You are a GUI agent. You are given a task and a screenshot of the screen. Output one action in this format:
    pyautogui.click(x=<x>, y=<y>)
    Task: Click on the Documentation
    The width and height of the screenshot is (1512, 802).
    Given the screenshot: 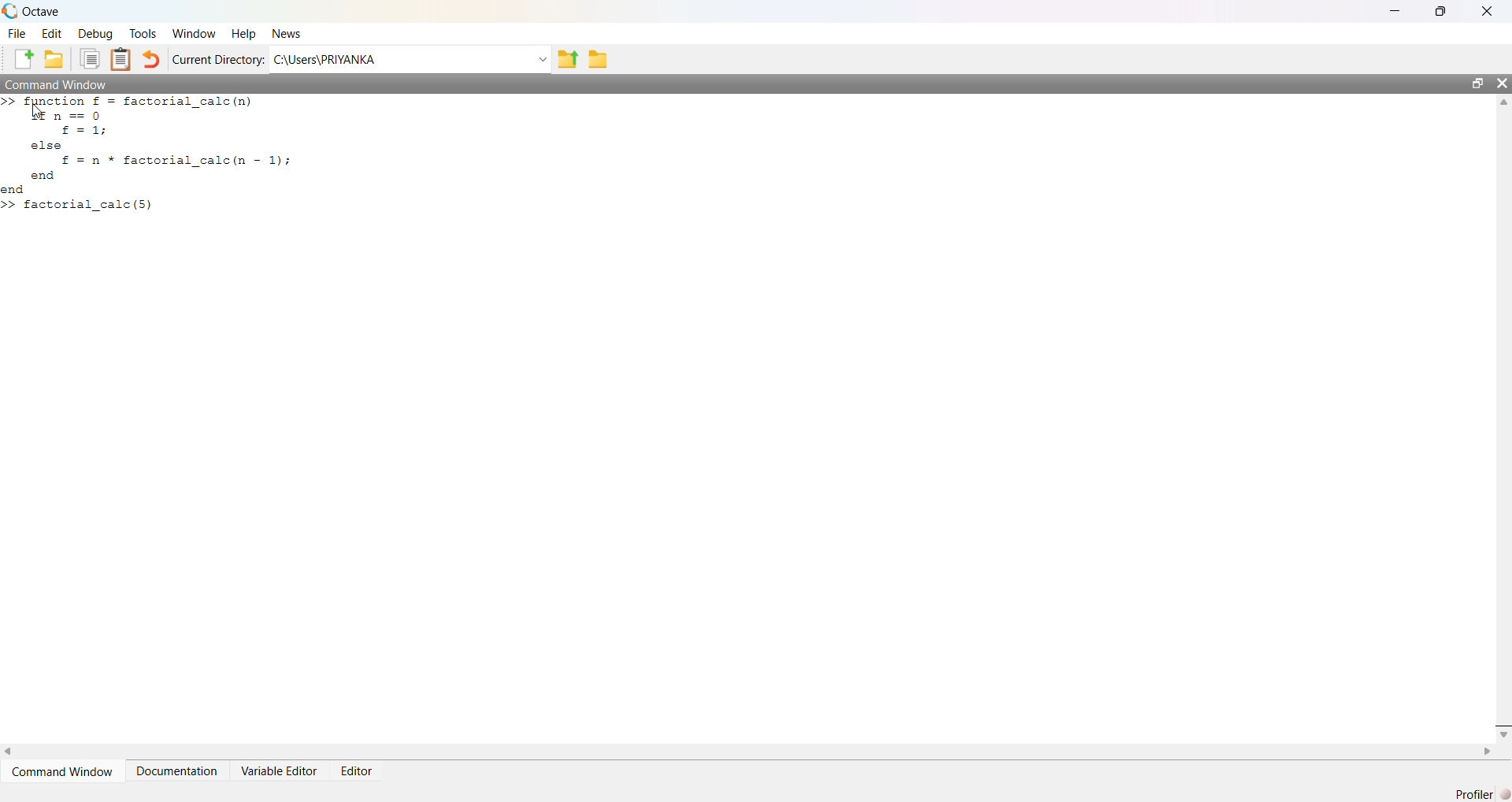 What is the action you would take?
    pyautogui.click(x=178, y=771)
    